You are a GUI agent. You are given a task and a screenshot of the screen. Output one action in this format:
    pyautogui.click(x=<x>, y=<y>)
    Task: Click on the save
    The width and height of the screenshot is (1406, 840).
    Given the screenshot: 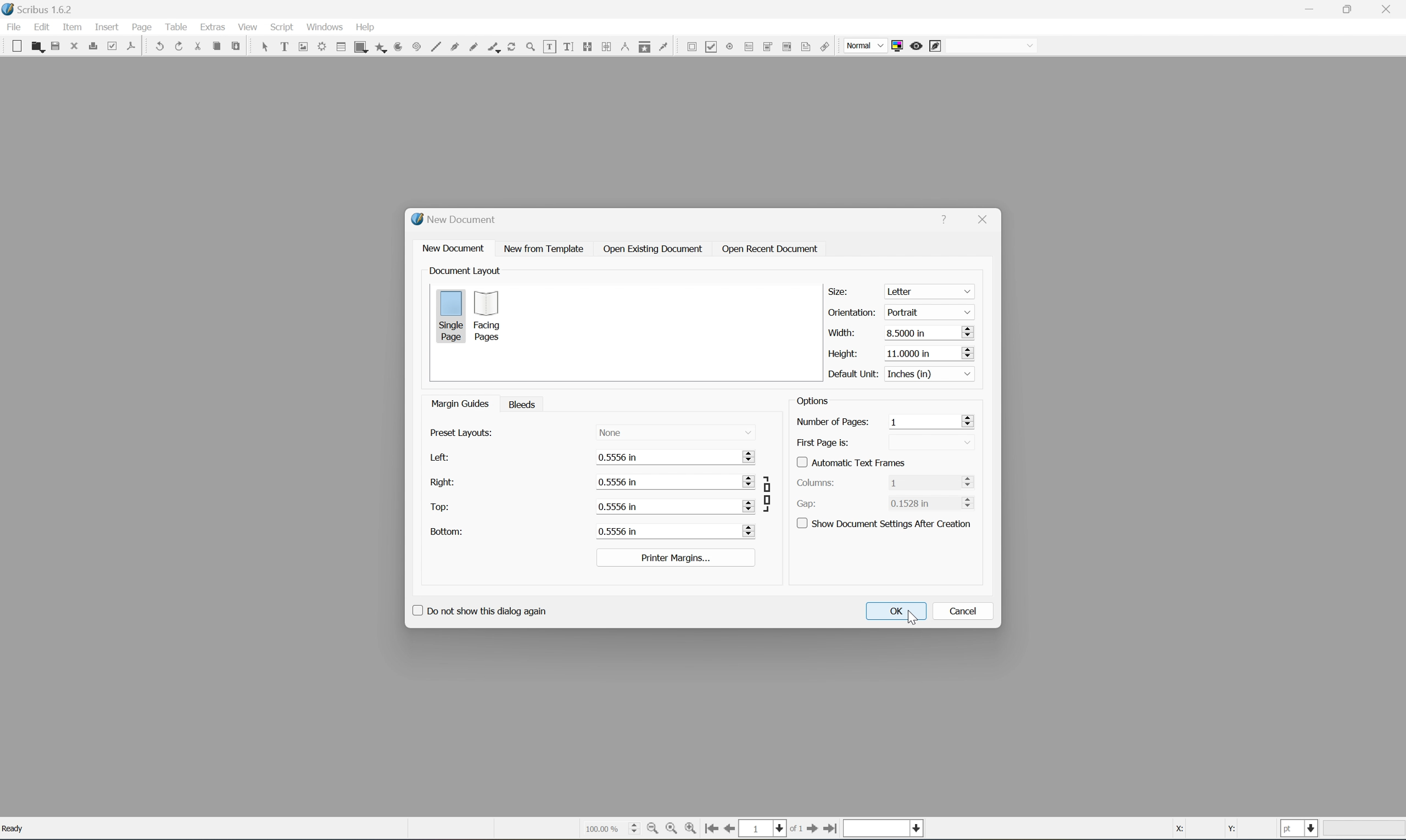 What is the action you would take?
    pyautogui.click(x=54, y=45)
    